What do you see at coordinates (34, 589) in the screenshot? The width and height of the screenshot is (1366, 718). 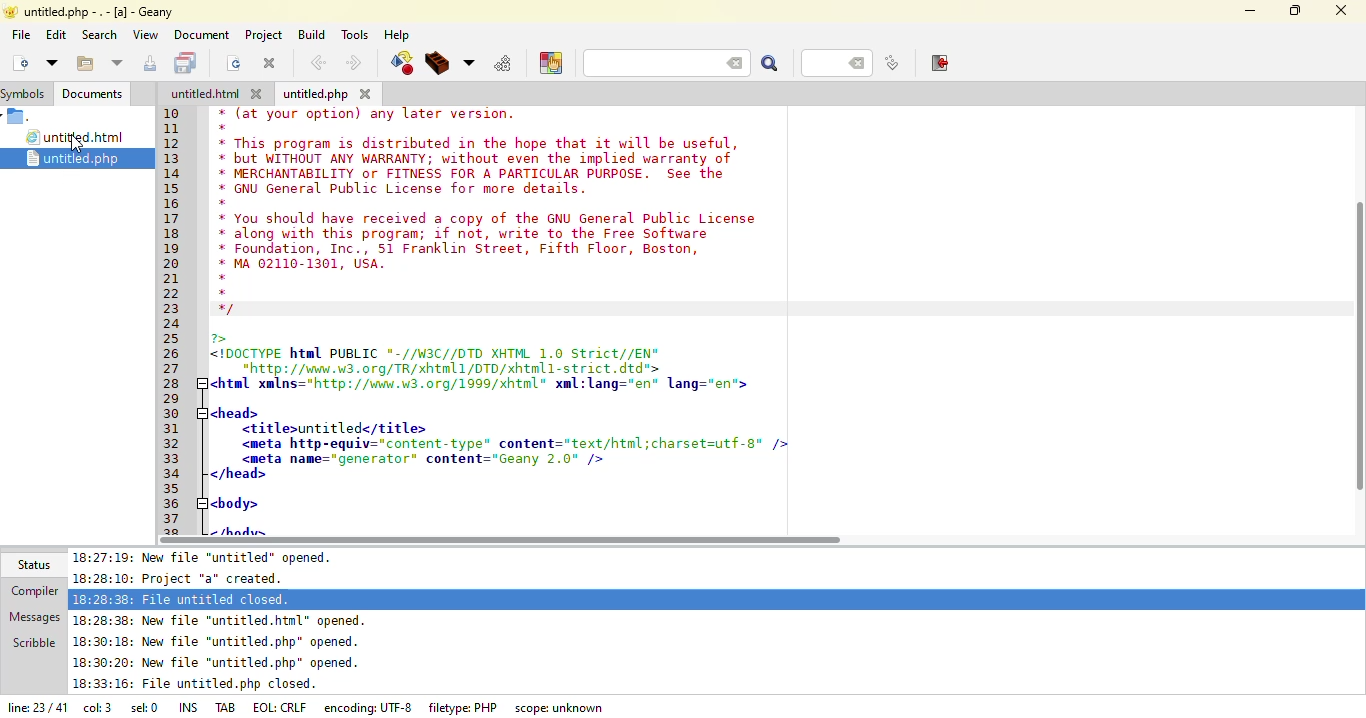 I see `compiler` at bounding box center [34, 589].